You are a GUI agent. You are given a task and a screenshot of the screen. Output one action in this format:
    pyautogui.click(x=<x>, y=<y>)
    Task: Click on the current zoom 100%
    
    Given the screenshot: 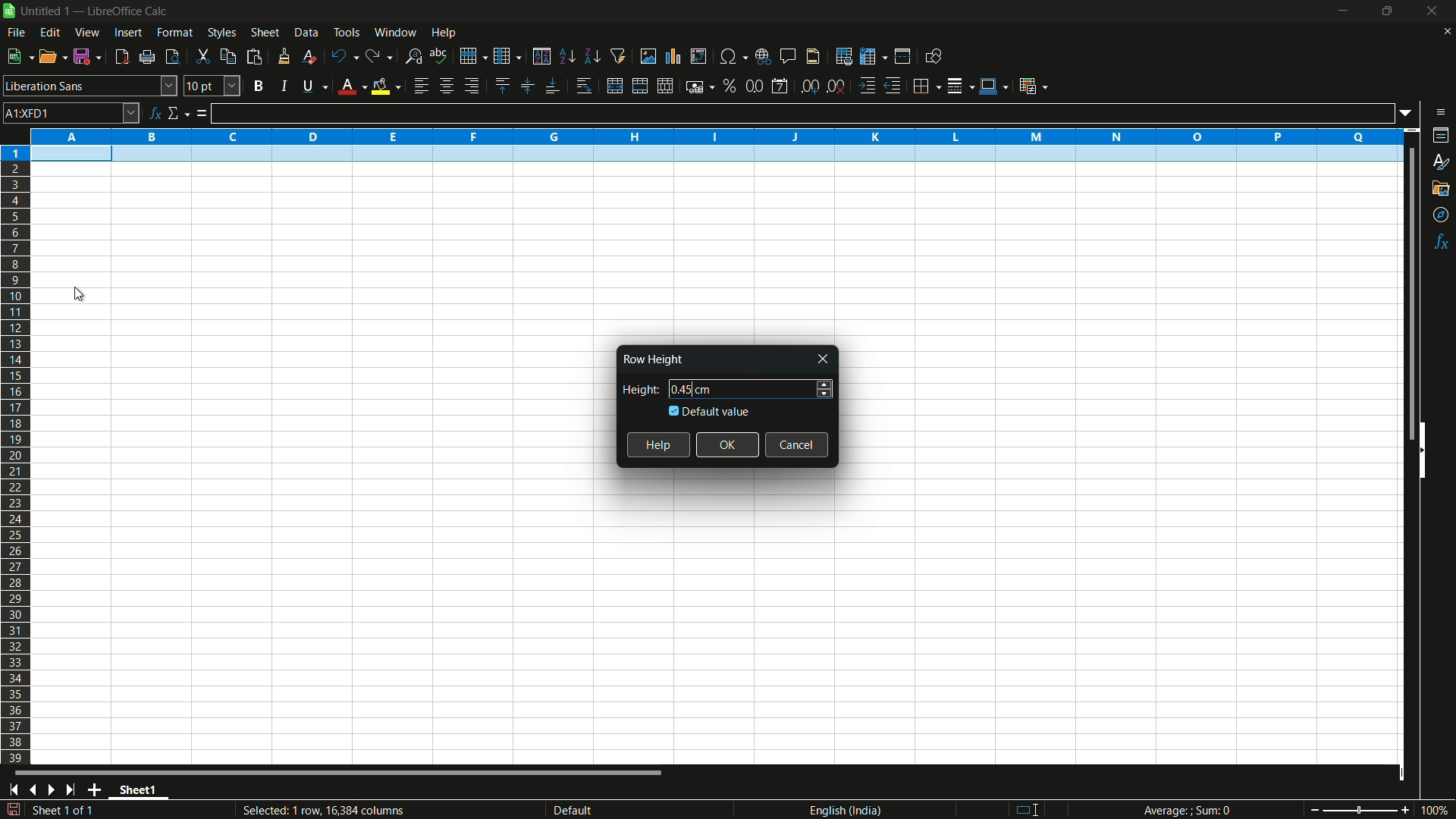 What is the action you would take?
    pyautogui.click(x=1437, y=810)
    